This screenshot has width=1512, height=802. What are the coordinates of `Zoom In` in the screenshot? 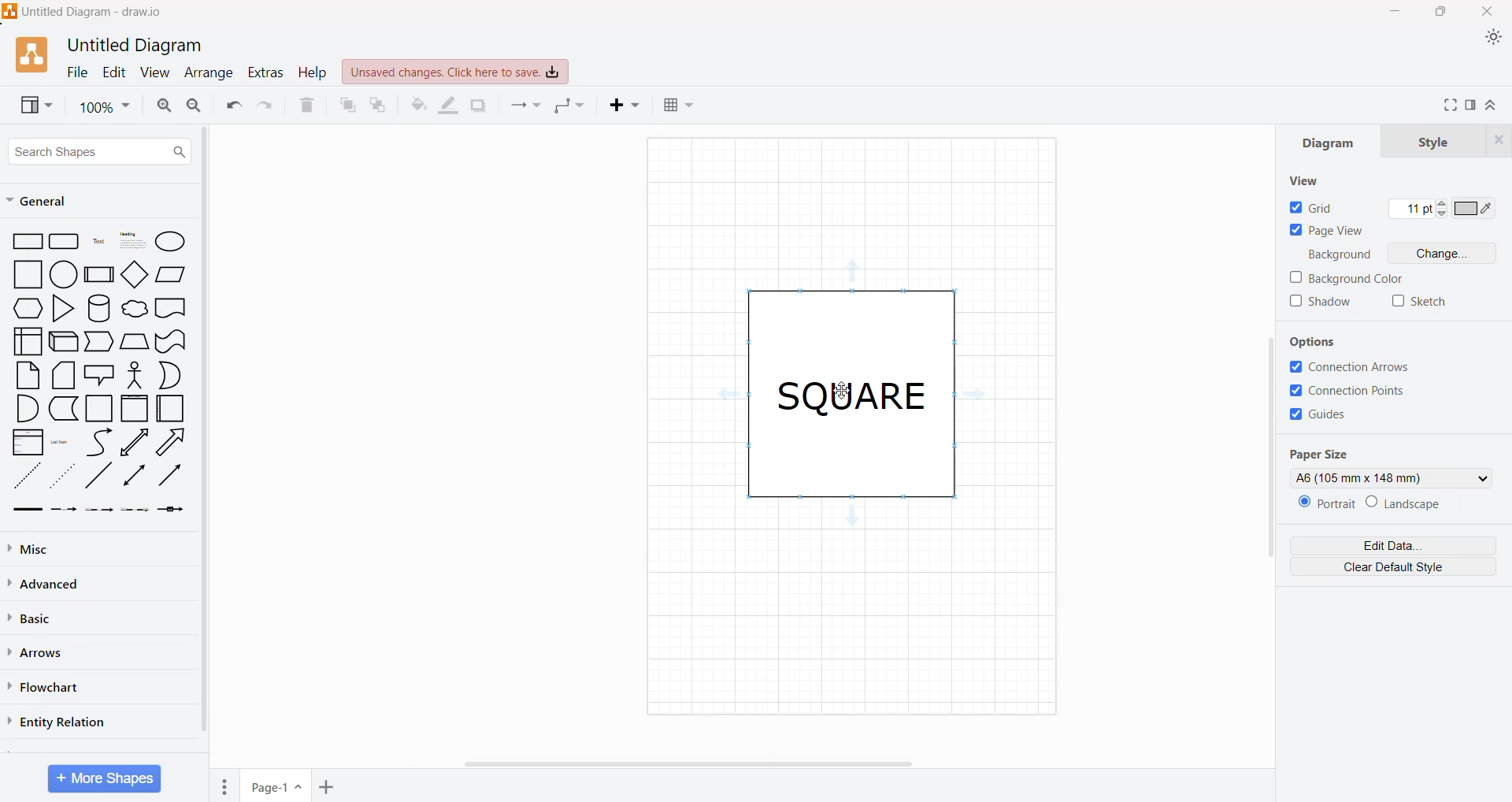 It's located at (164, 104).